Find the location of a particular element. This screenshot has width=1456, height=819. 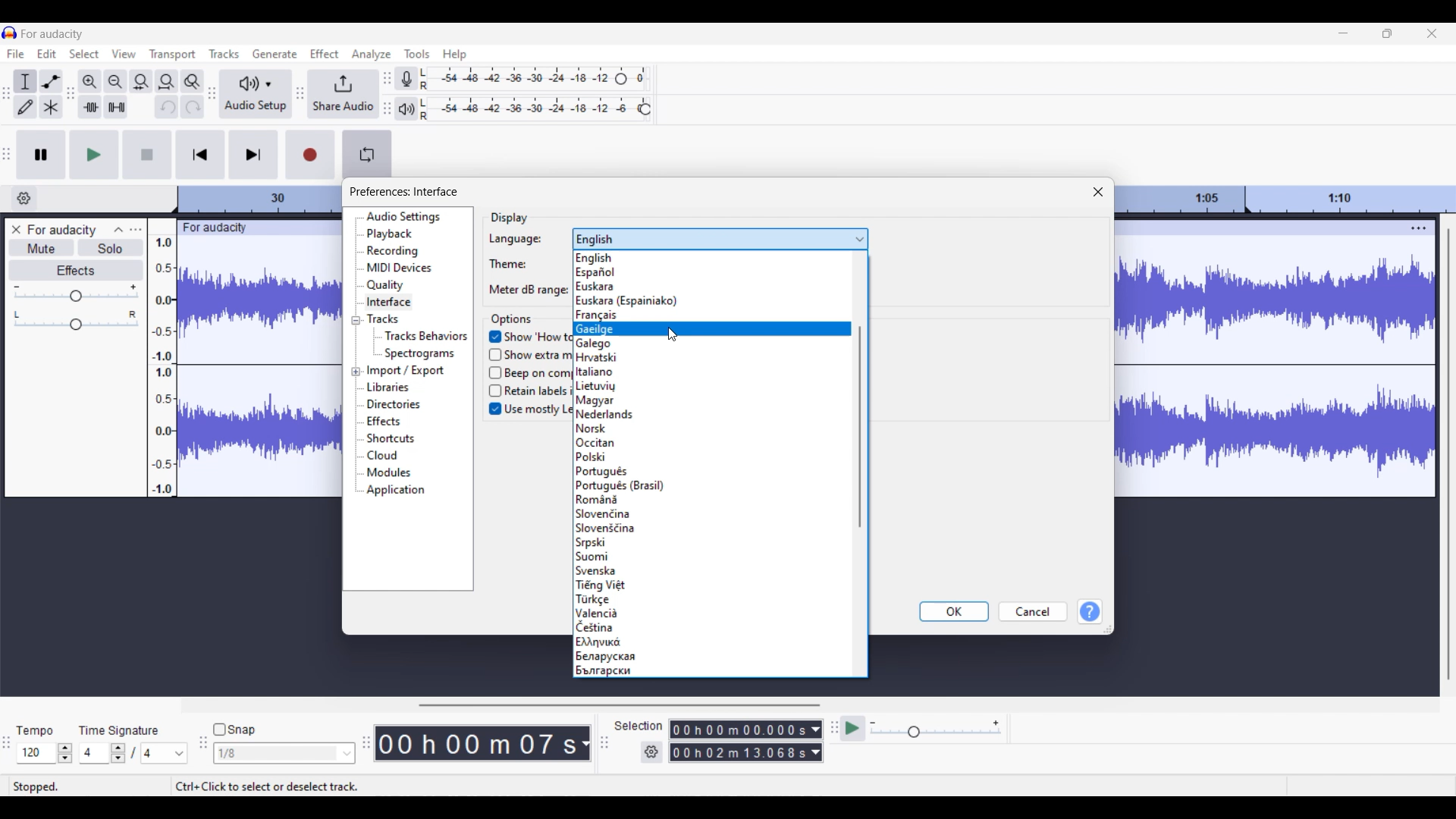

Show extra menus is located at coordinates (529, 356).